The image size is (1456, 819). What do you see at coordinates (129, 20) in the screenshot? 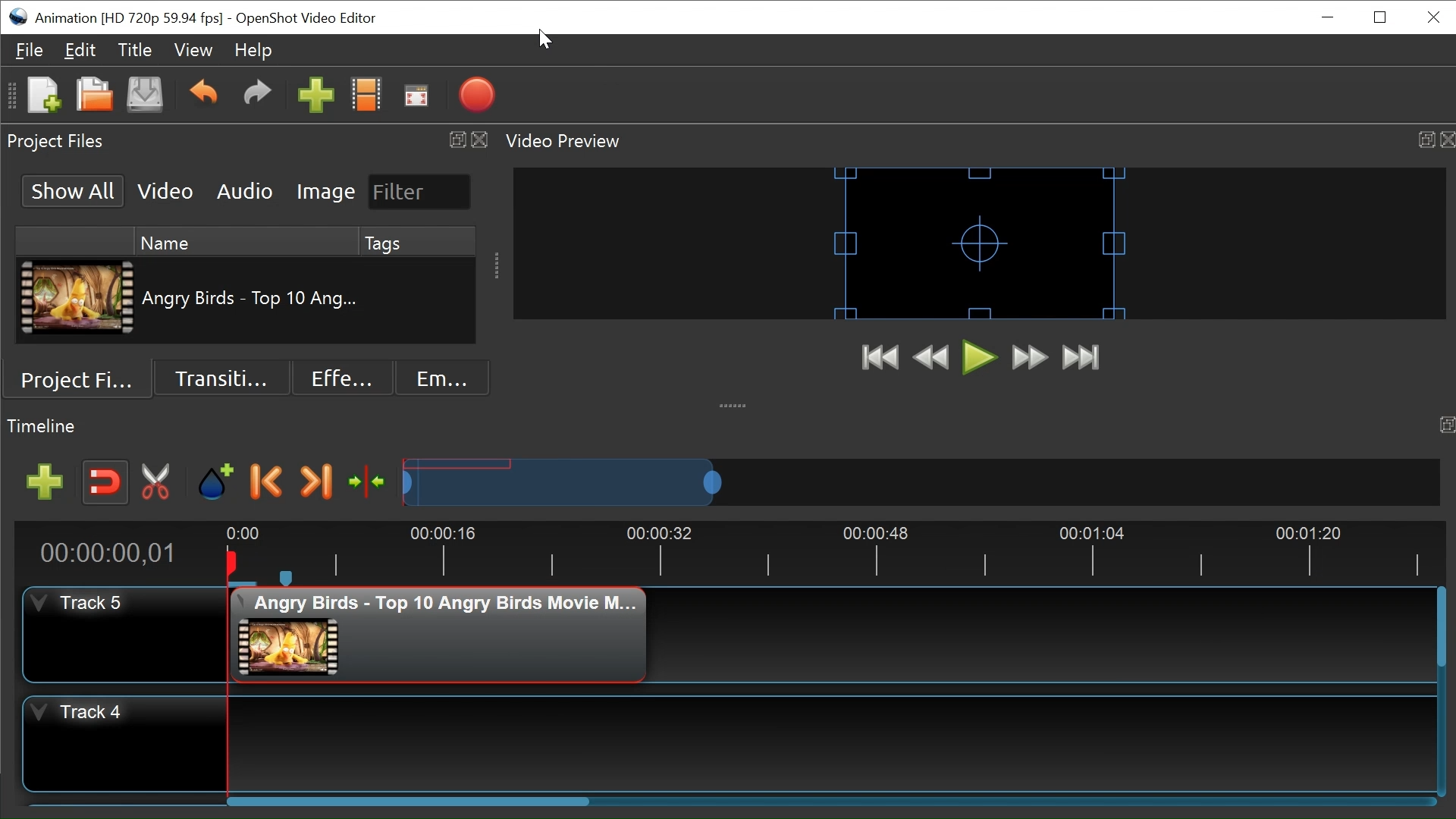
I see `Project Name` at bounding box center [129, 20].